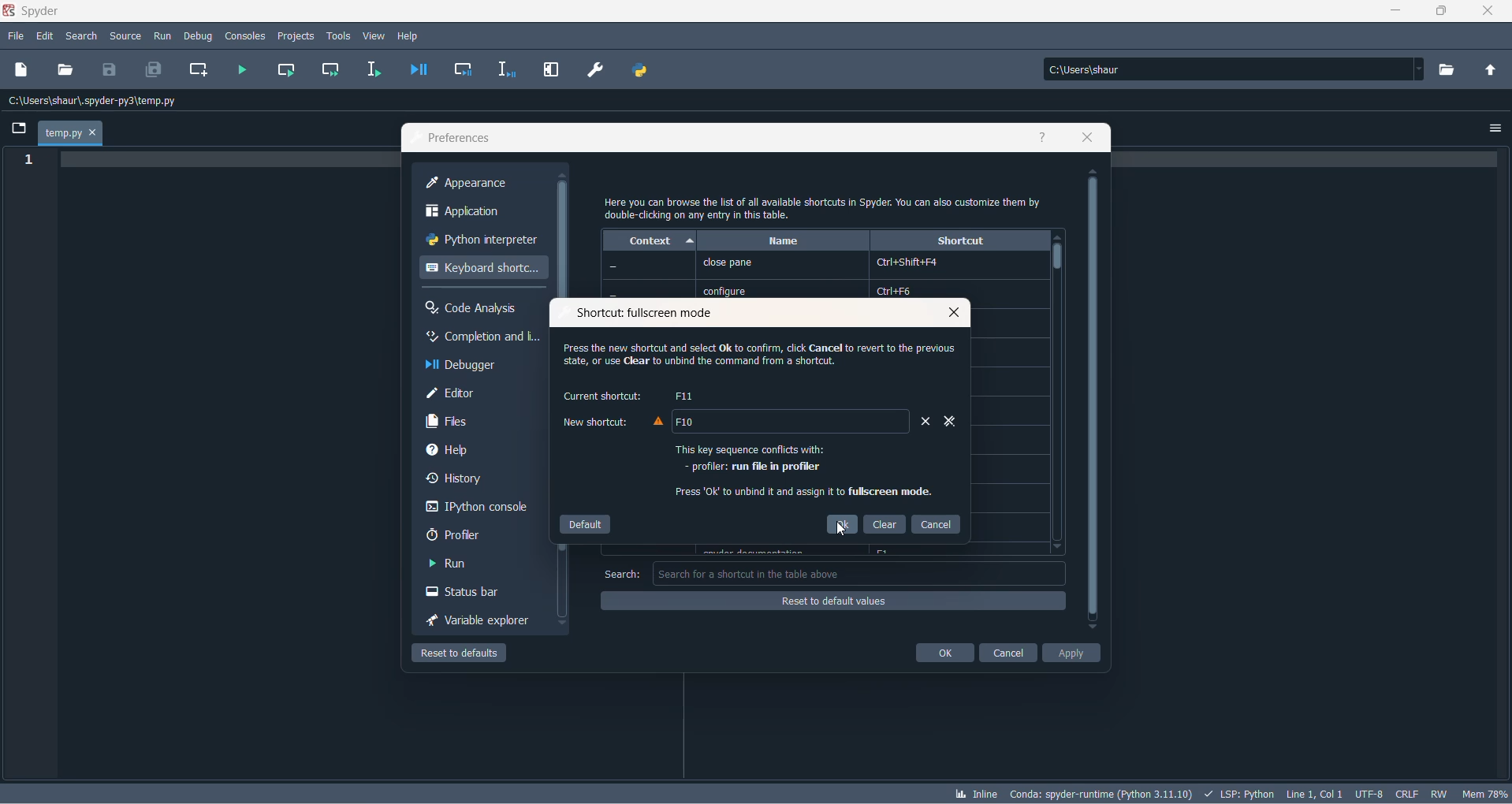 This screenshot has width=1512, height=804. What do you see at coordinates (1230, 69) in the screenshot?
I see `path` at bounding box center [1230, 69].